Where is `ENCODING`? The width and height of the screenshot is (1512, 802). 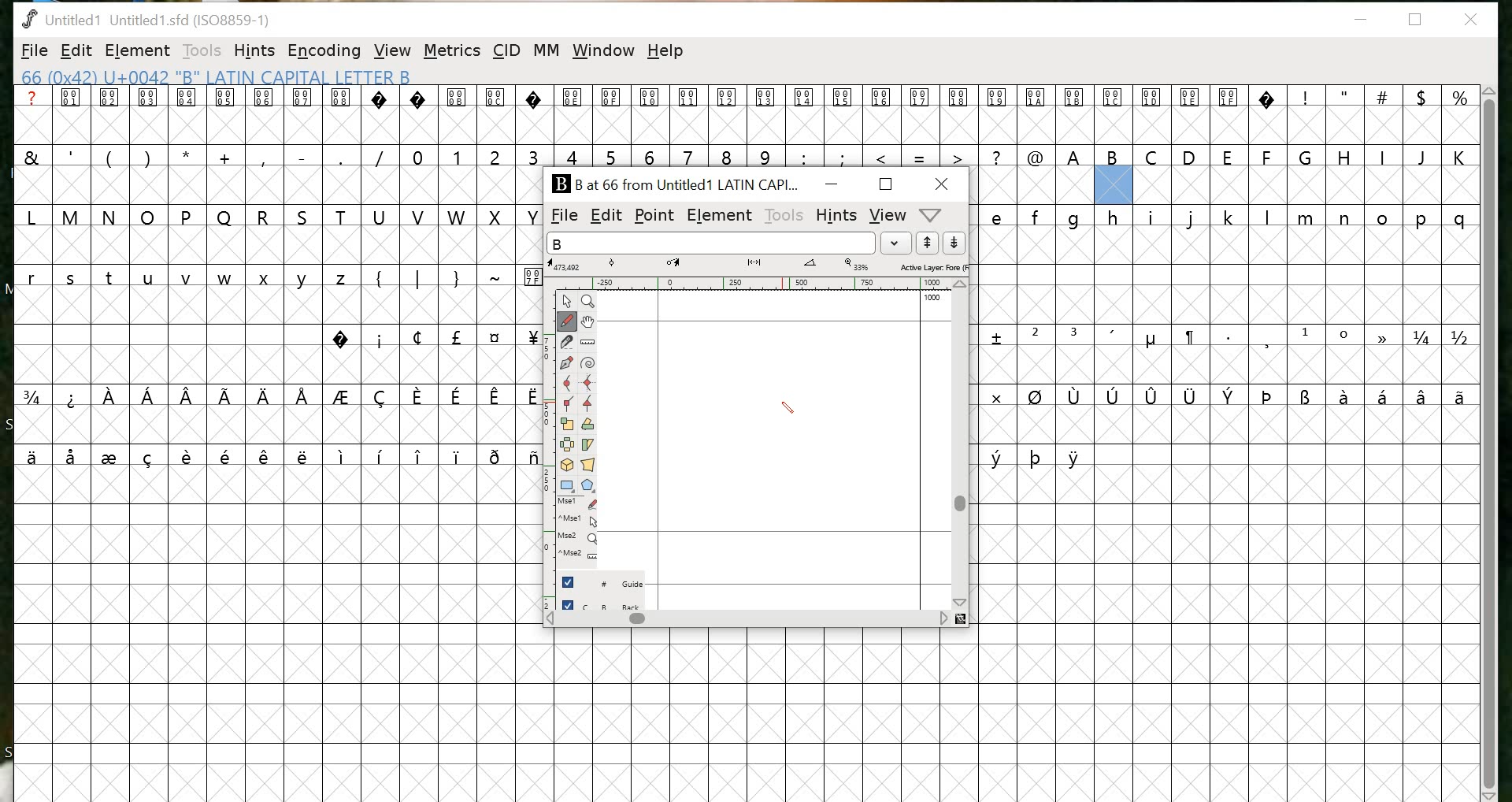
ENCODING is located at coordinates (324, 50).